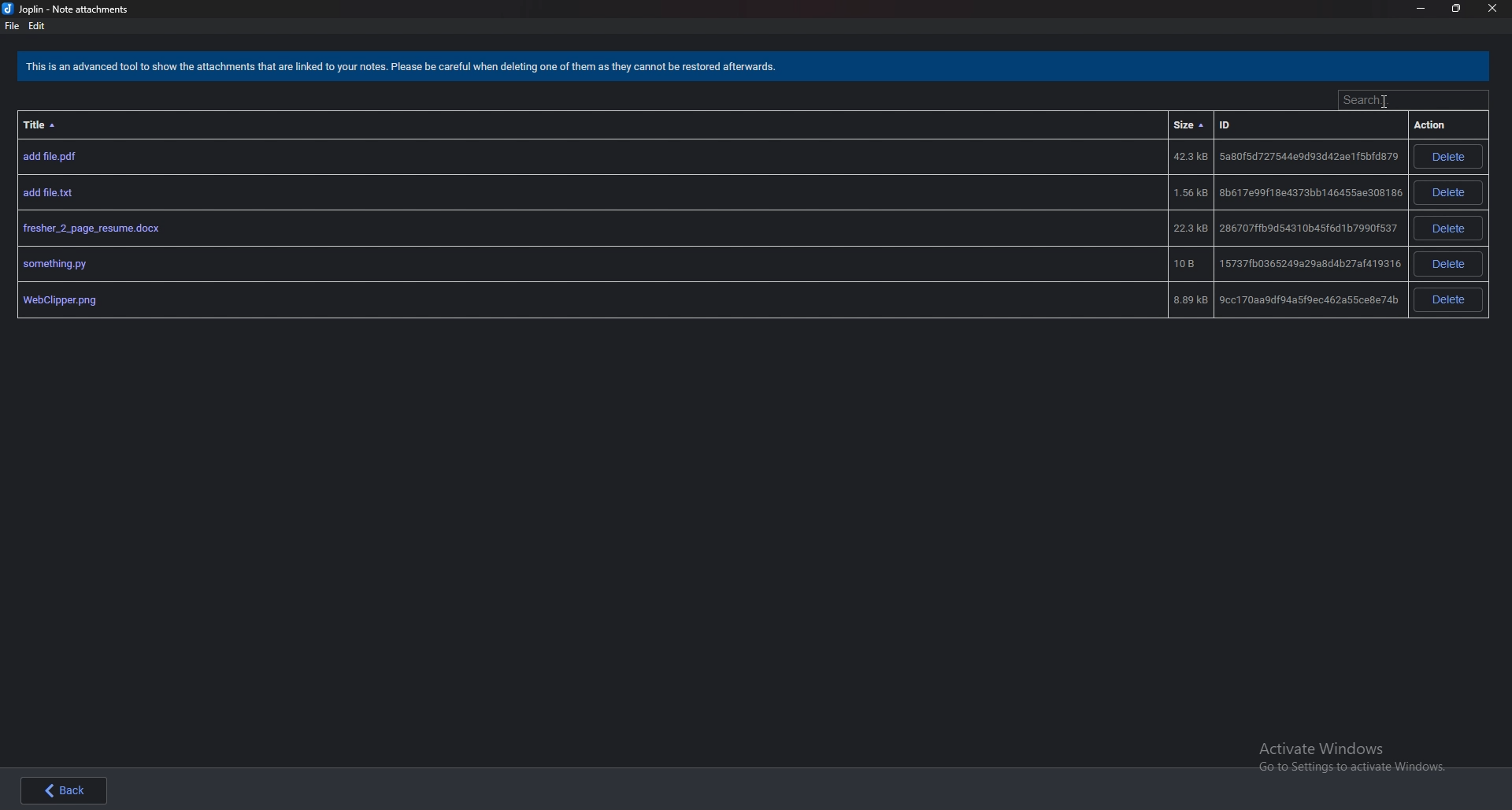 The height and width of the screenshot is (810, 1512). I want to click on delete, so click(1447, 193).